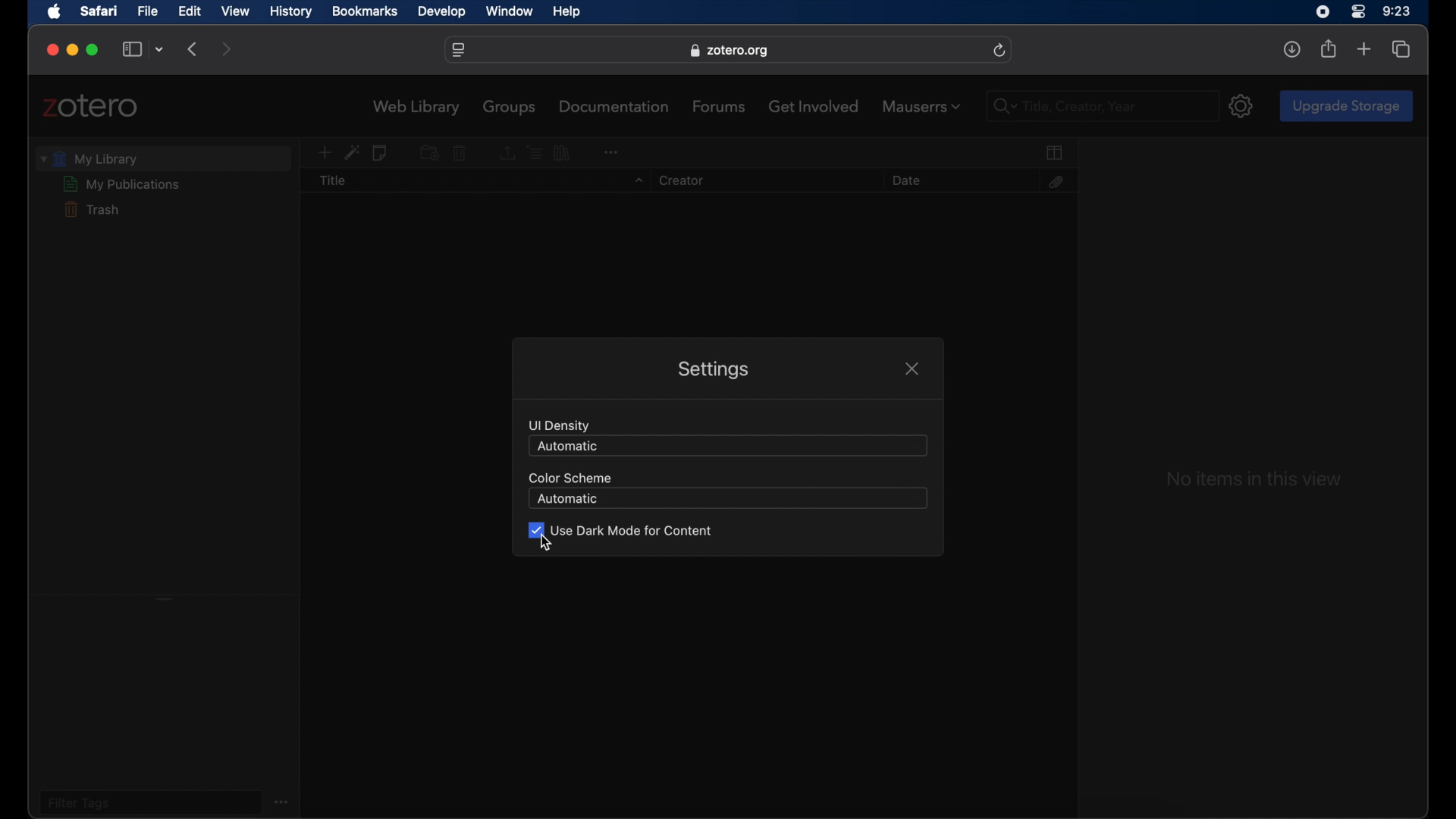 The width and height of the screenshot is (1456, 819). What do you see at coordinates (1364, 50) in the screenshot?
I see `add` at bounding box center [1364, 50].